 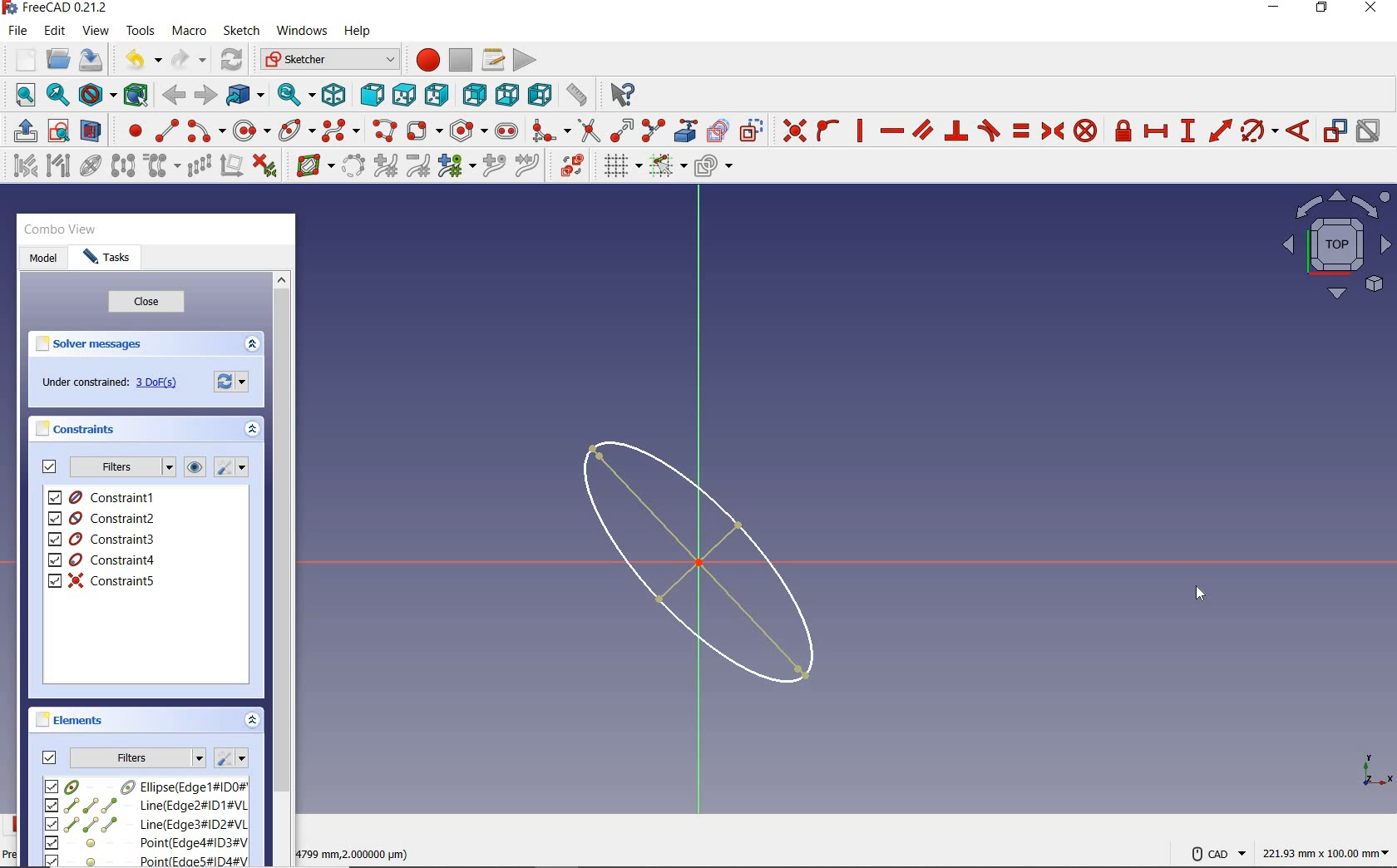 What do you see at coordinates (142, 30) in the screenshot?
I see `tools` at bounding box center [142, 30].